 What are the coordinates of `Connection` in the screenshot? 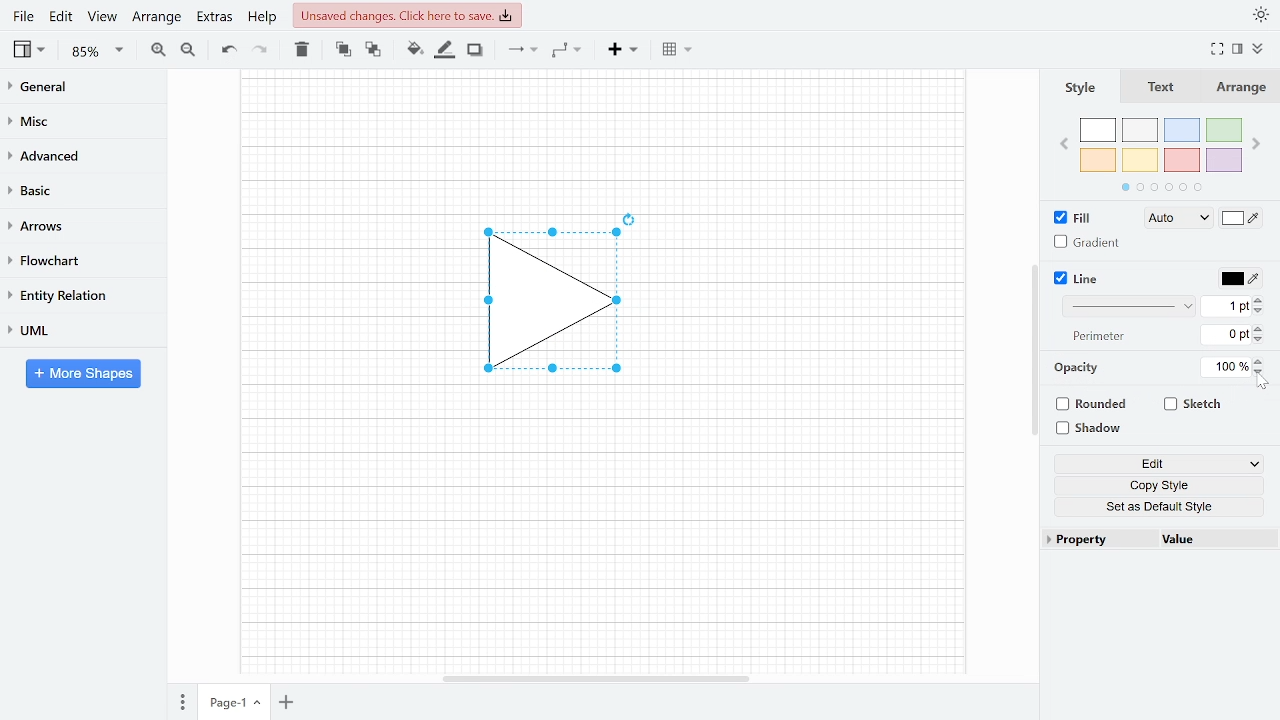 It's located at (522, 49).